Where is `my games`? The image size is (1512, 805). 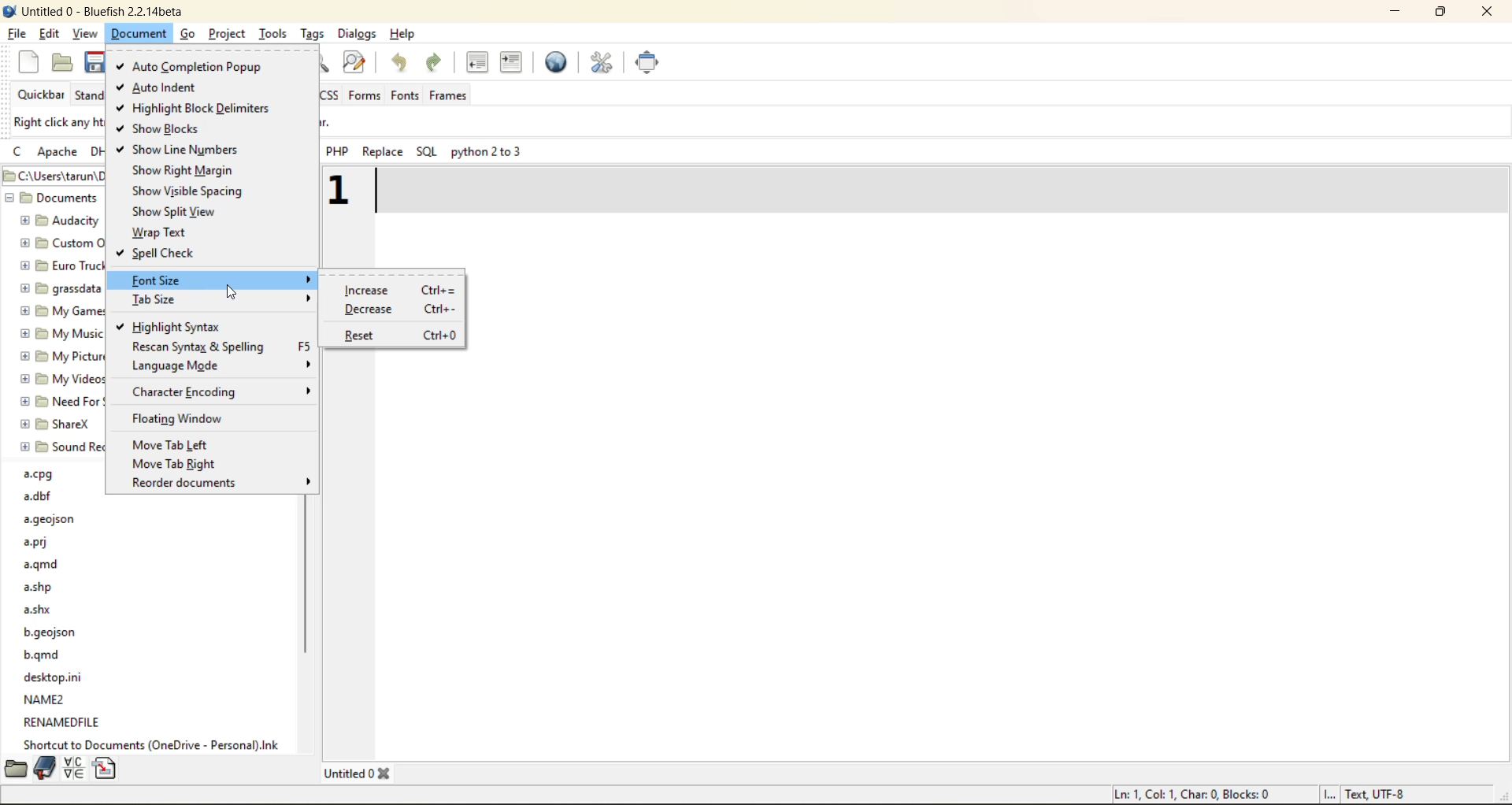
my games is located at coordinates (65, 311).